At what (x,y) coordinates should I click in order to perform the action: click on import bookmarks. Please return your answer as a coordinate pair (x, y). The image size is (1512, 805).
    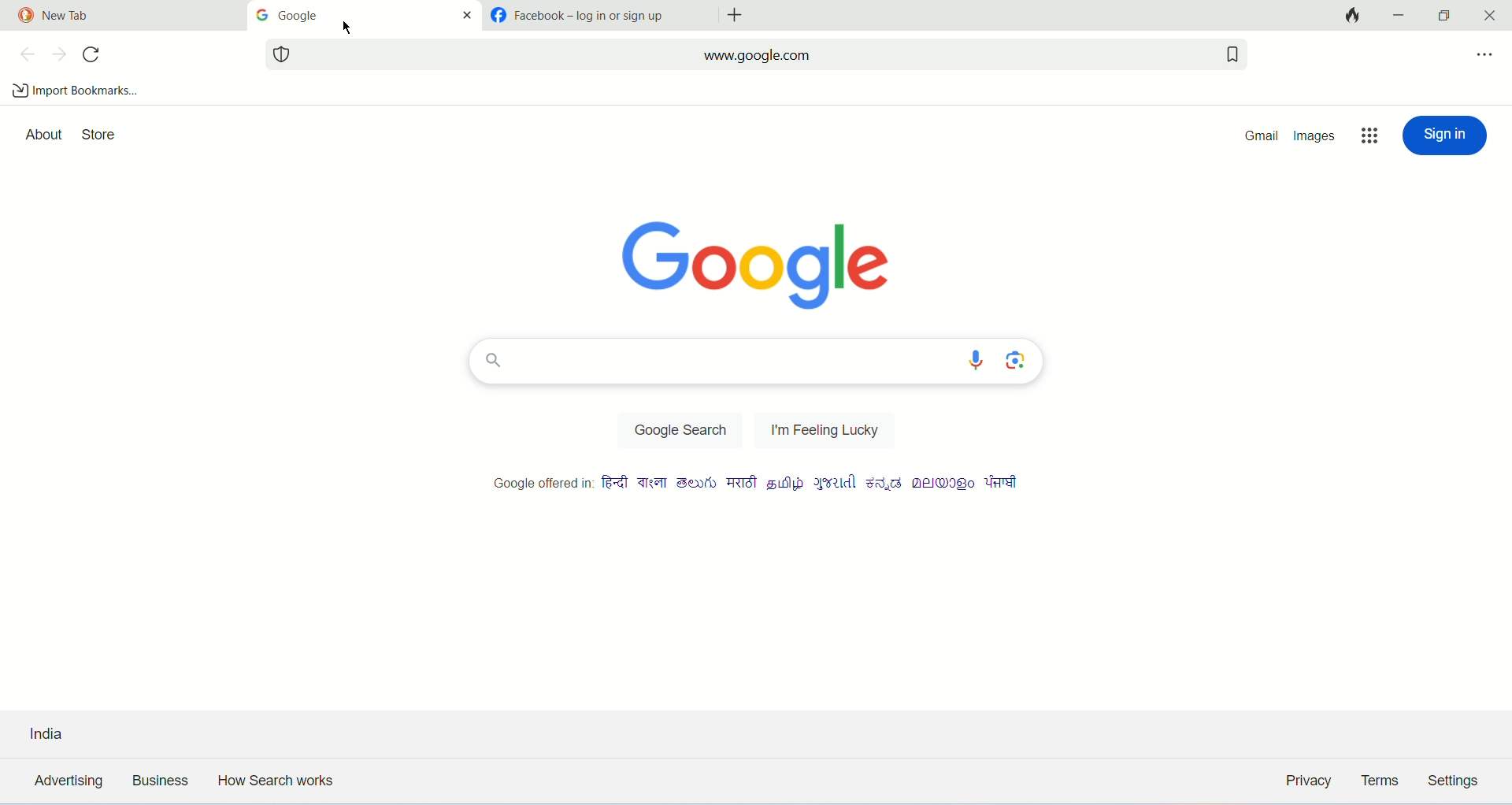
    Looking at the image, I should click on (74, 90).